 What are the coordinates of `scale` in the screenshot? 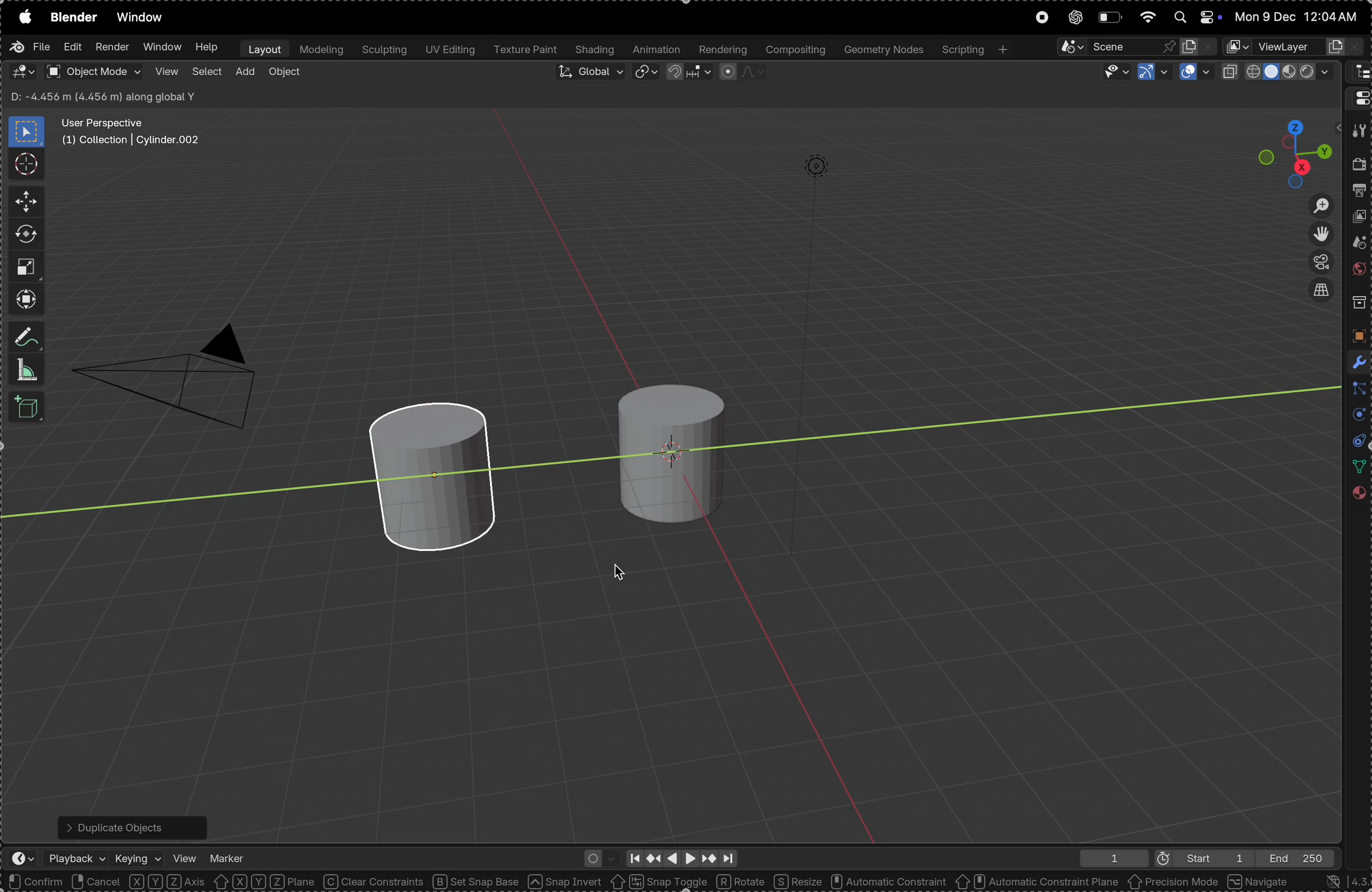 It's located at (25, 266).